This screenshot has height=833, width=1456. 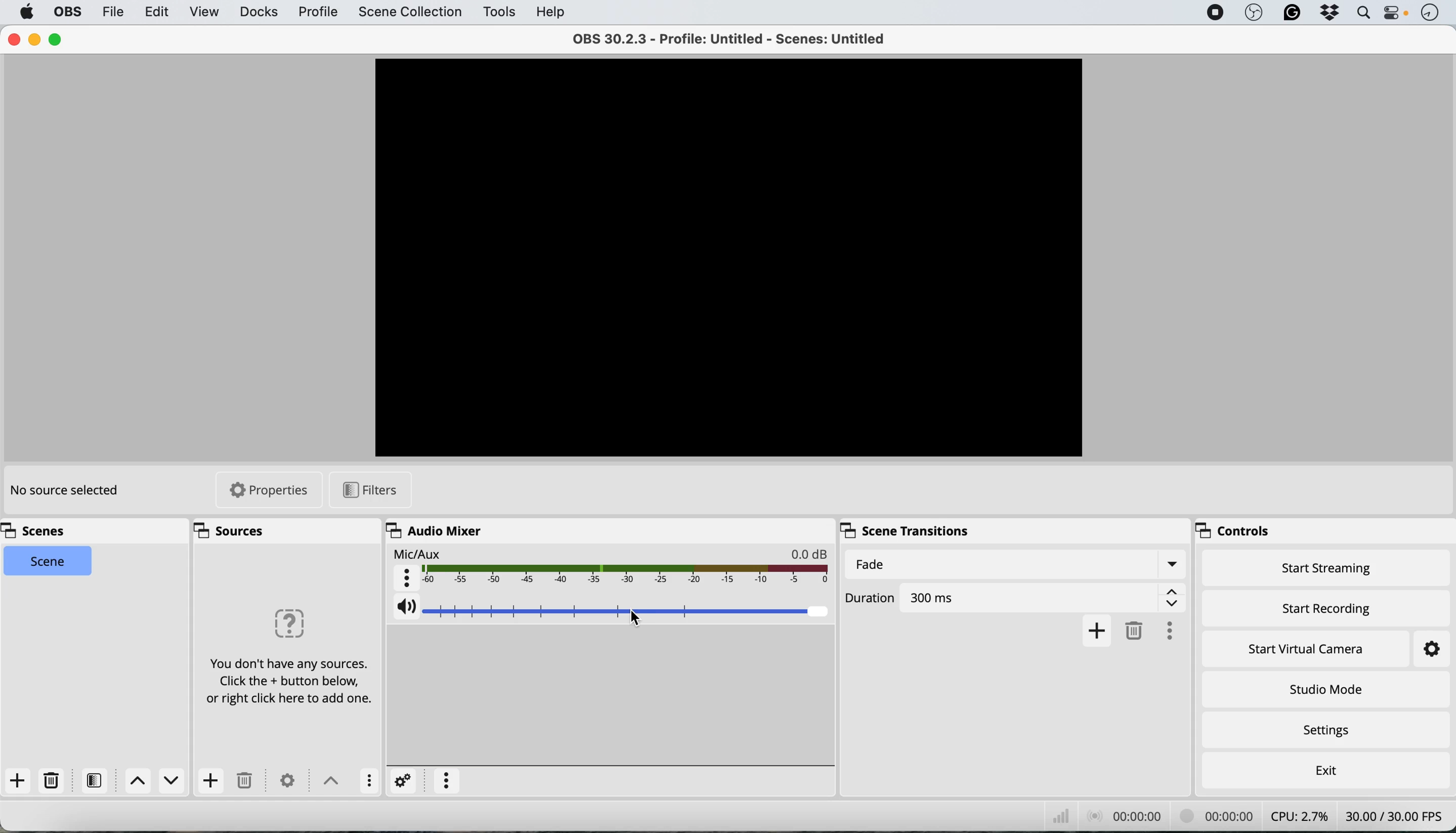 I want to click on audio recording timestamp - 00:00:00, so click(x=1128, y=815).